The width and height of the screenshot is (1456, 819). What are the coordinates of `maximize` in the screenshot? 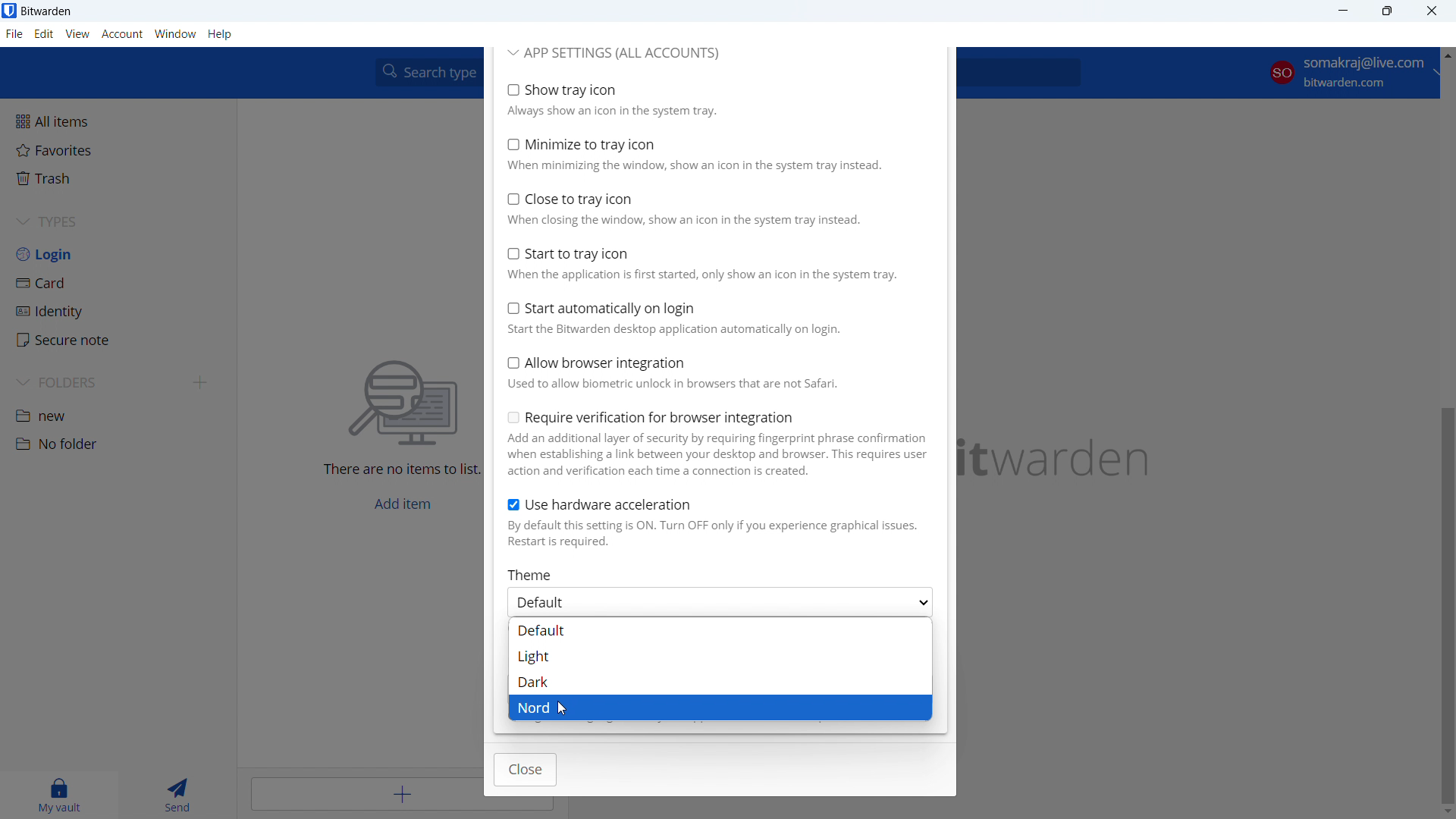 It's located at (1387, 11).